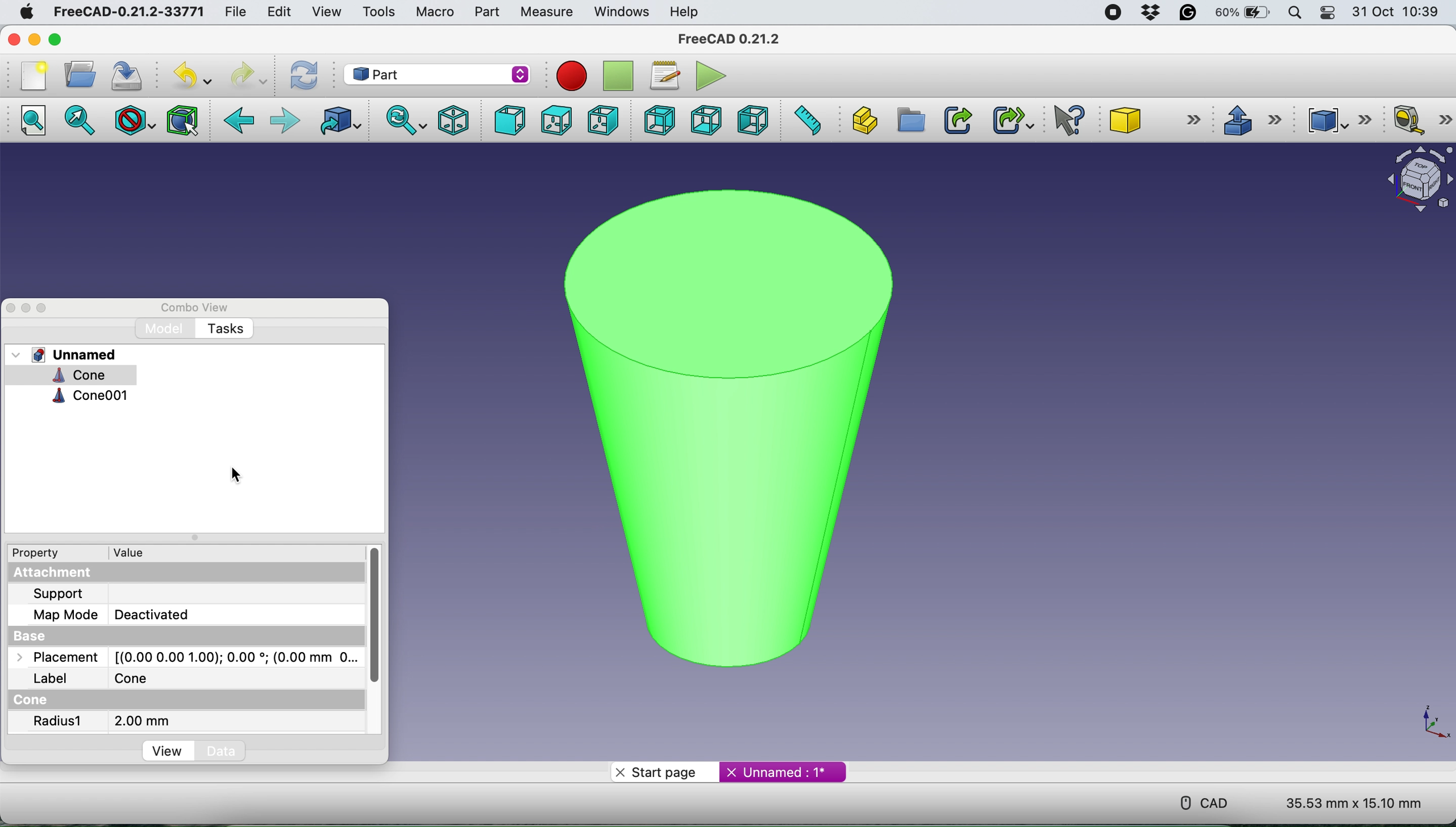 The image size is (1456, 827). Describe the element at coordinates (240, 121) in the screenshot. I see `back` at that location.